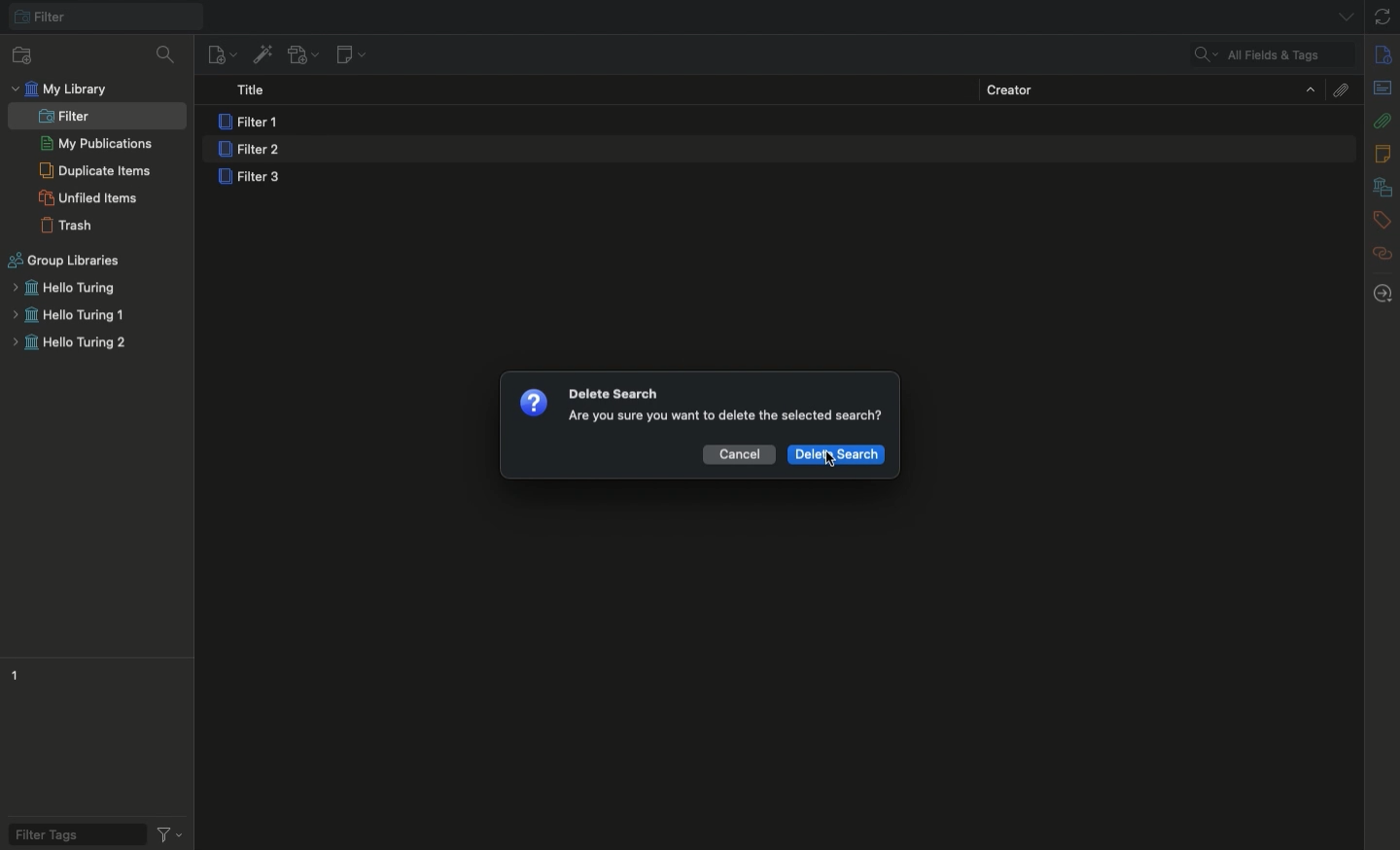 This screenshot has width=1400, height=850. I want to click on Title, so click(257, 91).